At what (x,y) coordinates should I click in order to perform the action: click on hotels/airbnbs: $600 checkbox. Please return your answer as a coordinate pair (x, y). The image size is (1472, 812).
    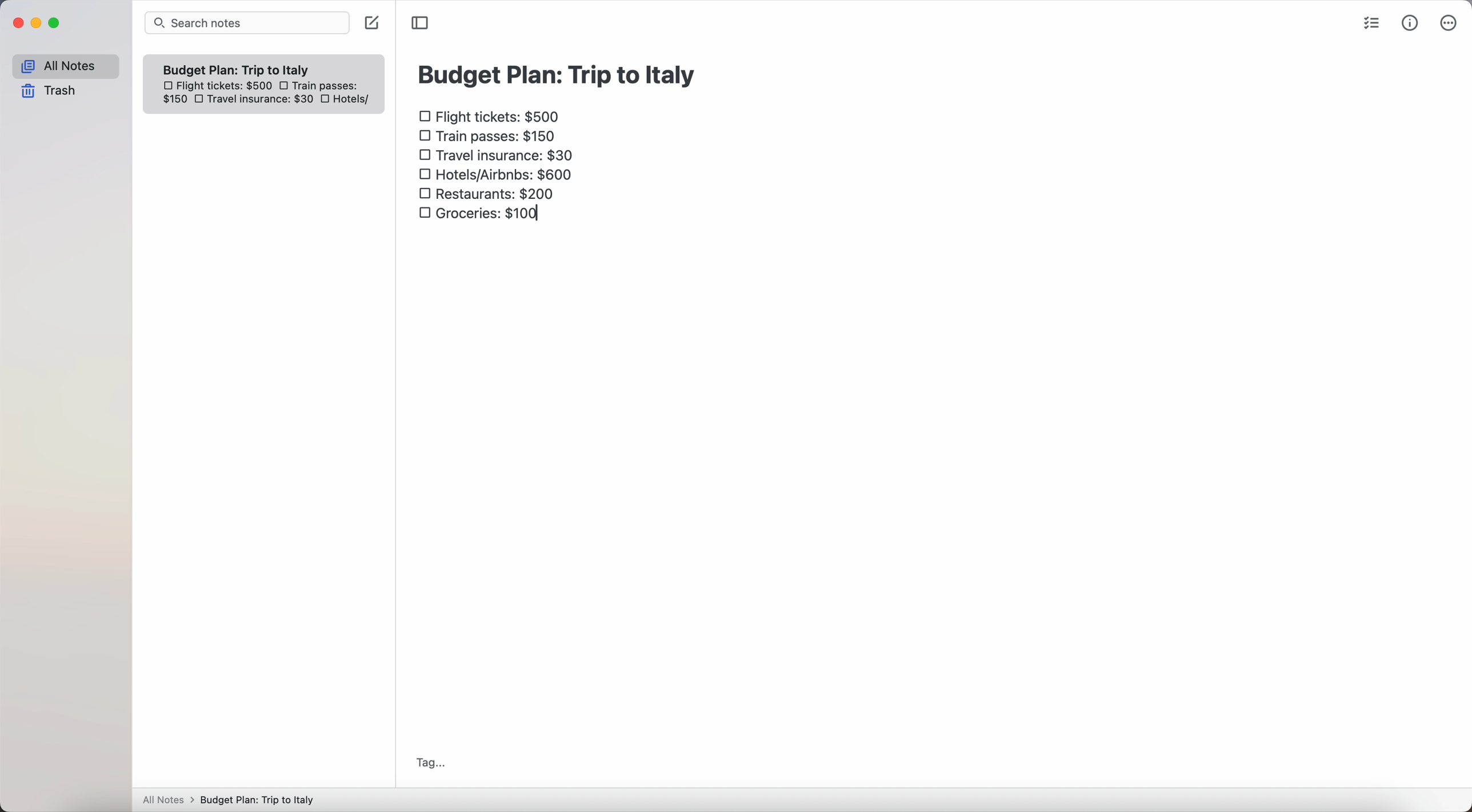
    Looking at the image, I should click on (501, 172).